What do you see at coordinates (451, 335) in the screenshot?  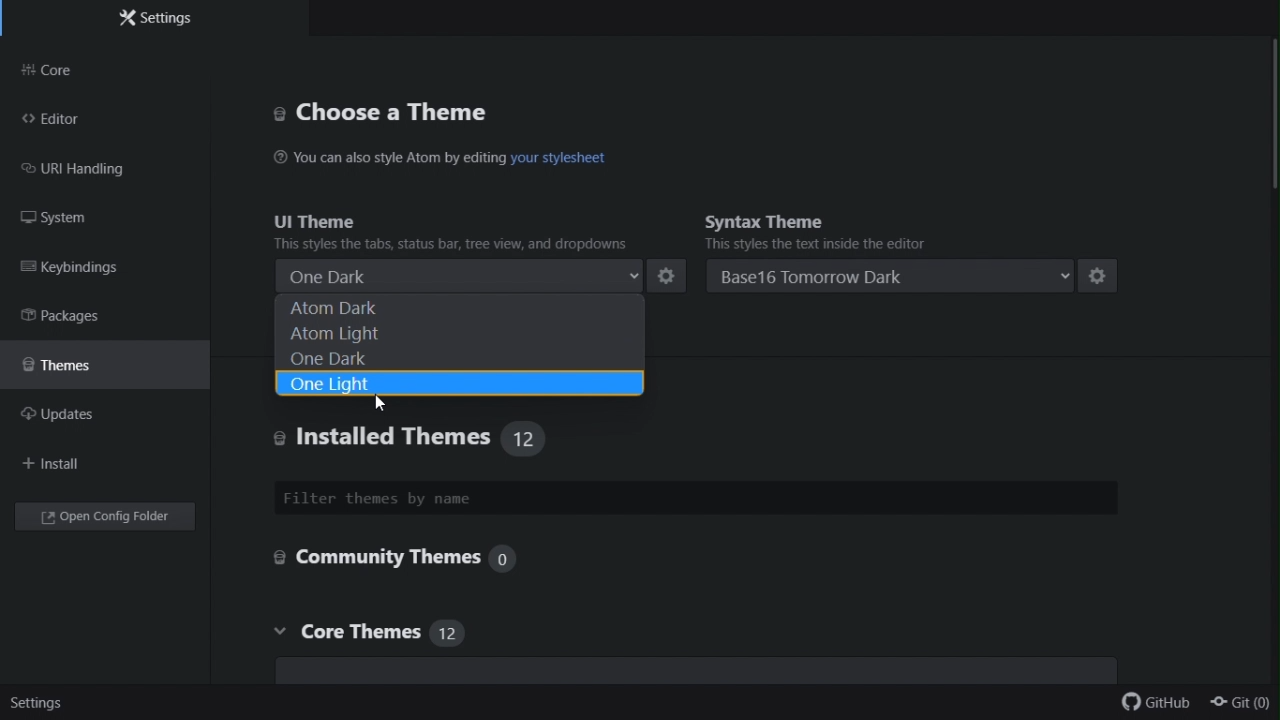 I see `Atom light` at bounding box center [451, 335].